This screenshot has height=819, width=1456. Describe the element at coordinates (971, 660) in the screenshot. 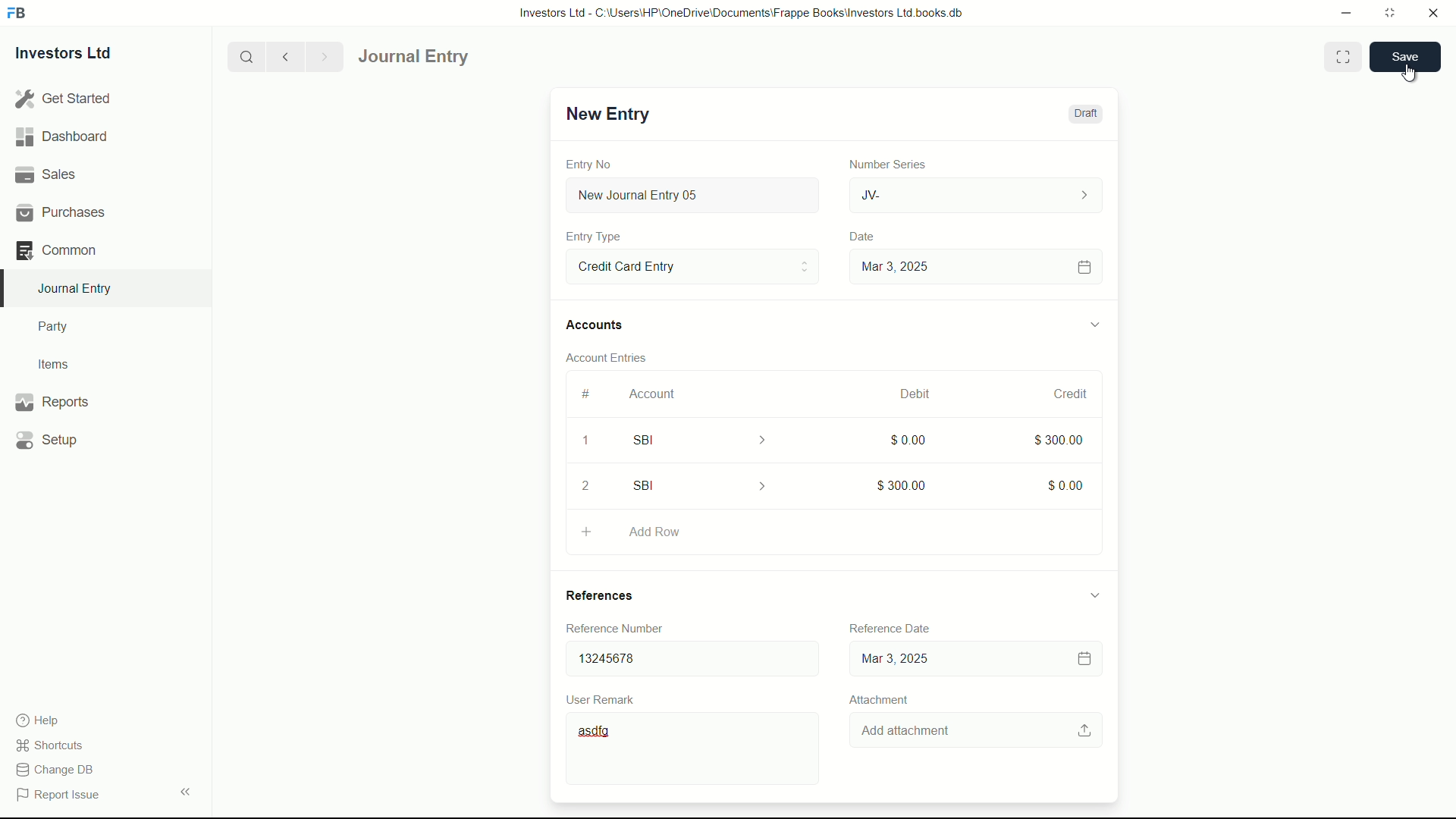

I see `dd-mm-yyyy` at that location.